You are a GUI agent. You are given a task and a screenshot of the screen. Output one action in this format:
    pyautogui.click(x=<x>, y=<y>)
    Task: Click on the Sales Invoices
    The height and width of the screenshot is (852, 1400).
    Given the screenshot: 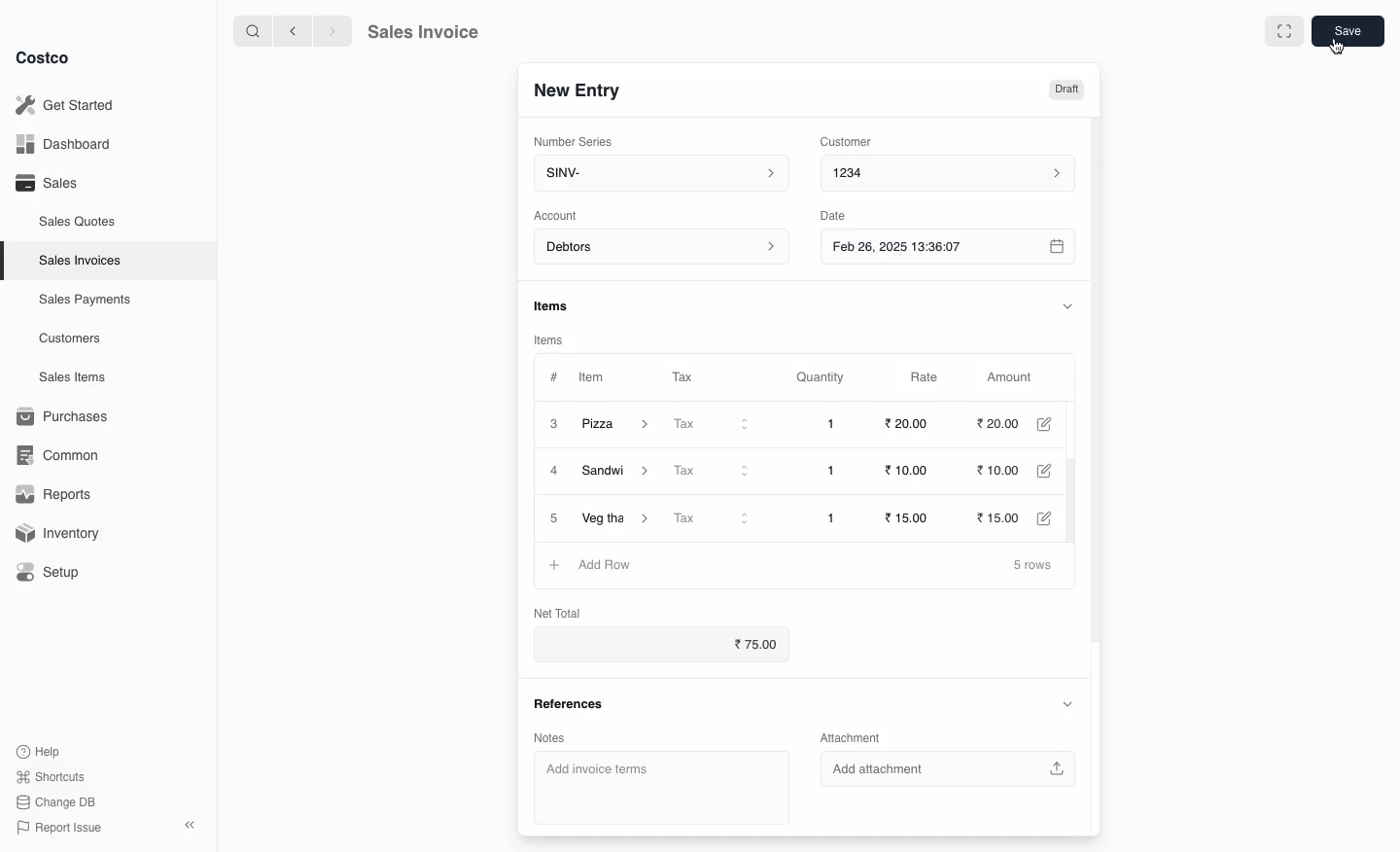 What is the action you would take?
    pyautogui.click(x=81, y=261)
    